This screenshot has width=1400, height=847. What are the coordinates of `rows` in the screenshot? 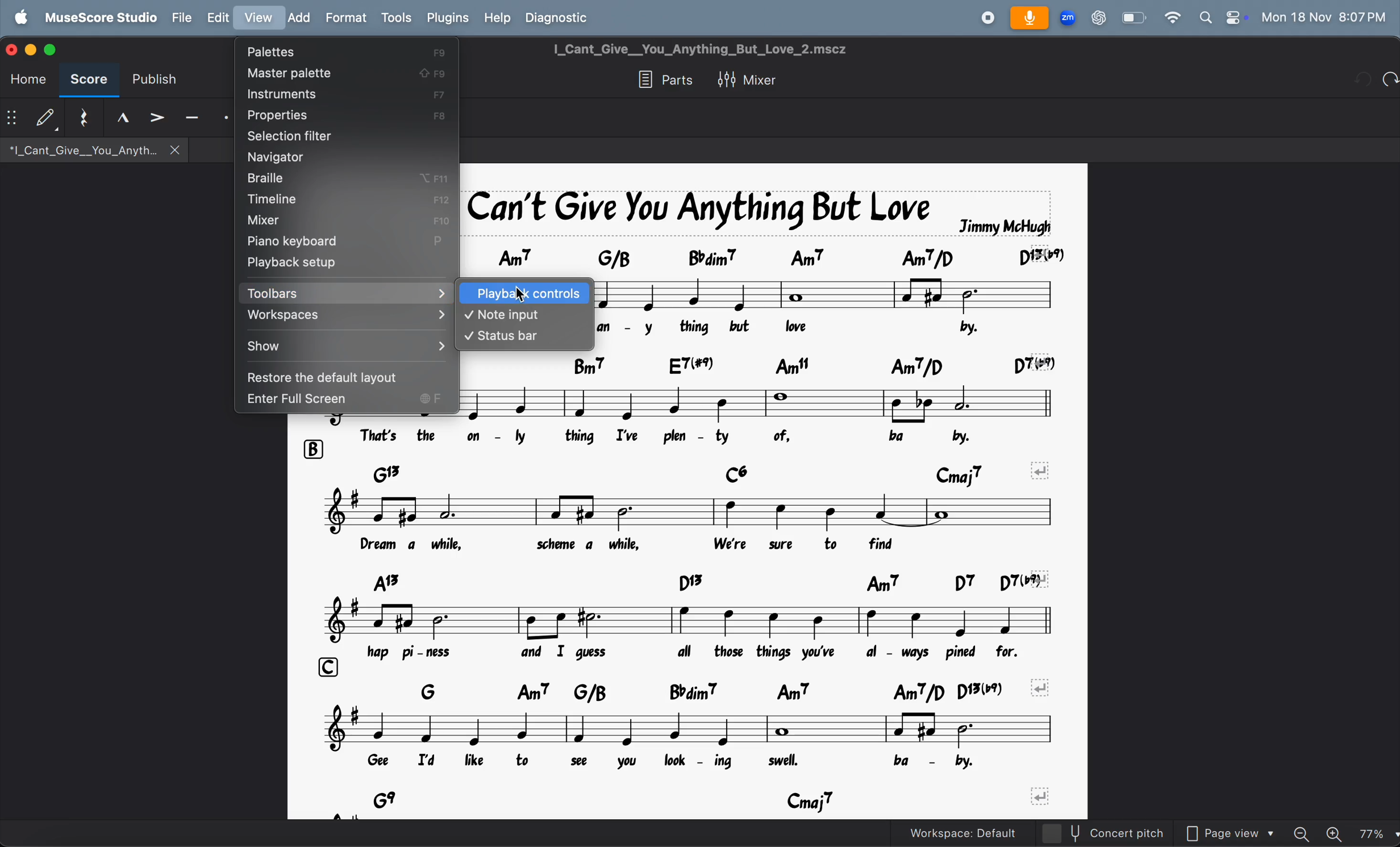 It's located at (312, 449).